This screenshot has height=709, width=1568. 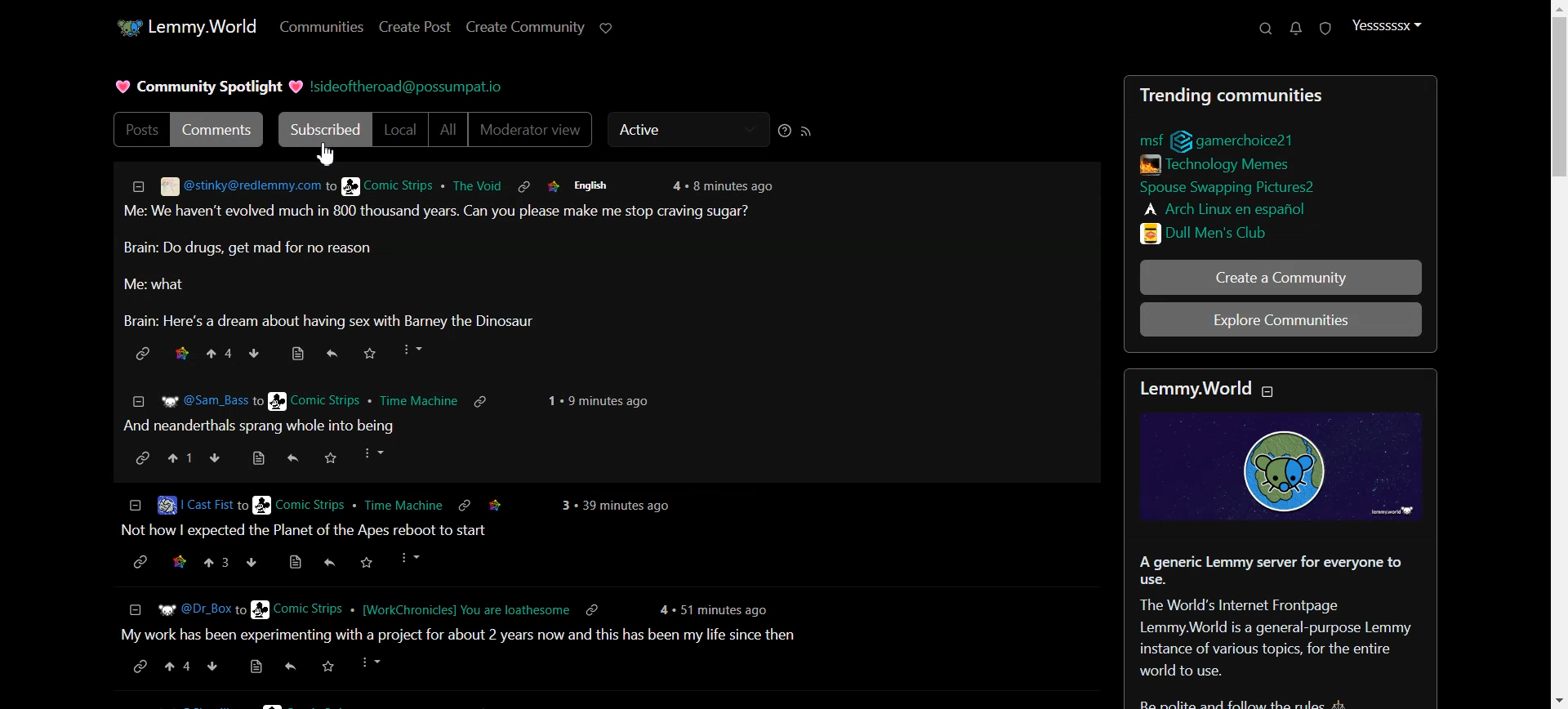 I want to click on starred, so click(x=181, y=351).